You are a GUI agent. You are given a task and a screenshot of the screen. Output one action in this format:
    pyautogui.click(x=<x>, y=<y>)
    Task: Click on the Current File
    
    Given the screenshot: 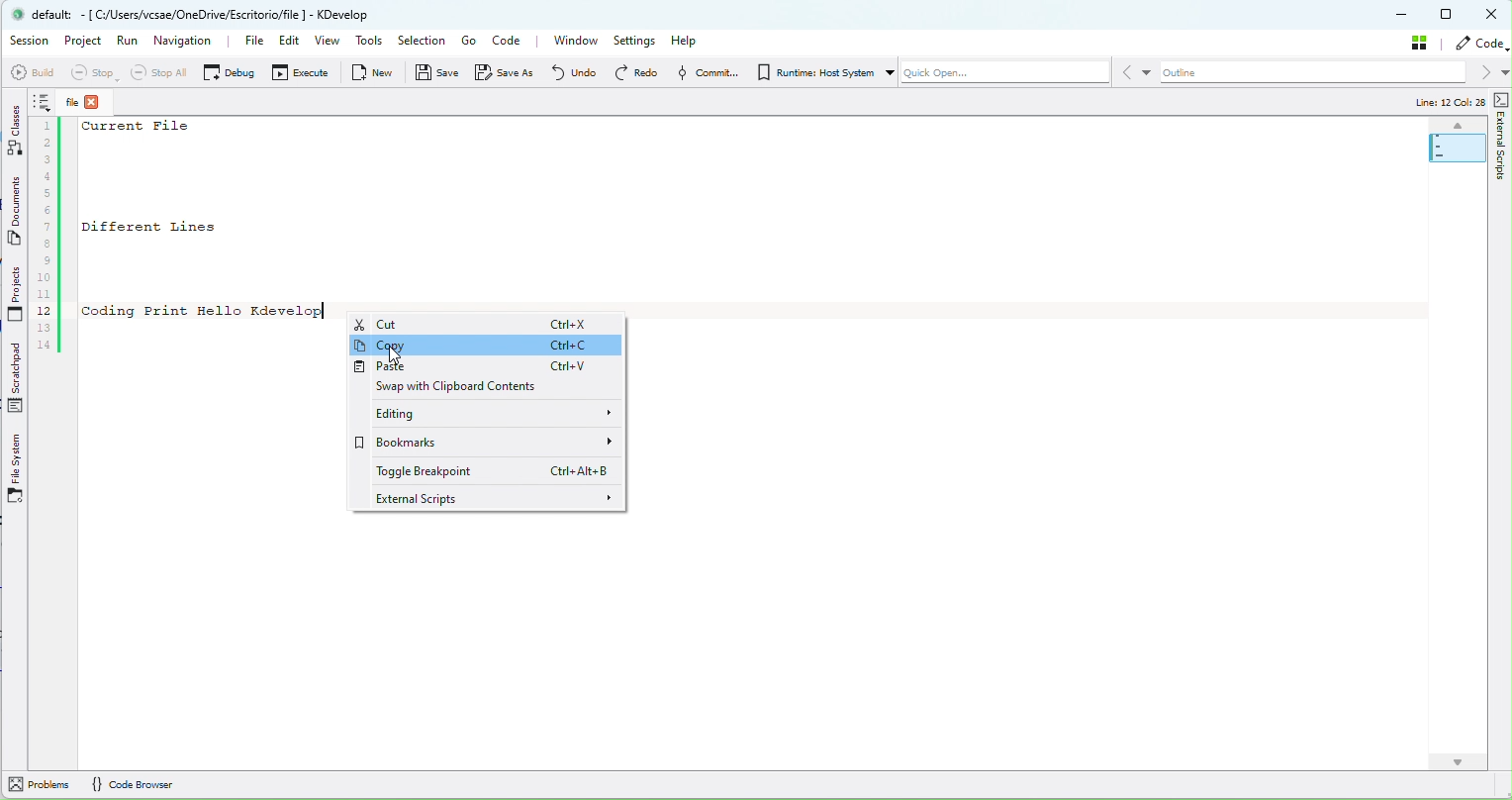 What is the action you would take?
    pyautogui.click(x=141, y=128)
    